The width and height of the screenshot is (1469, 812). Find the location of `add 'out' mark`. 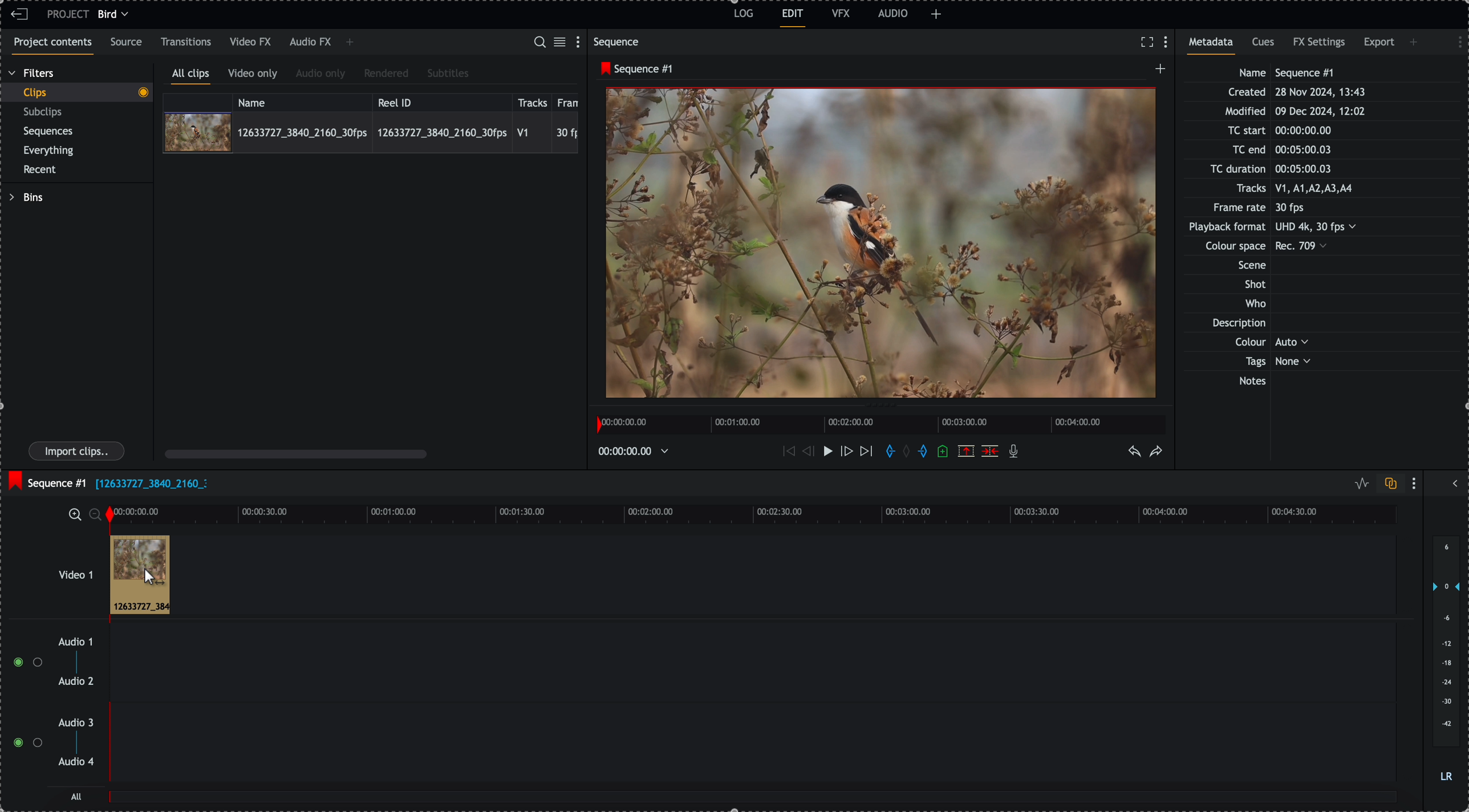

add 'out' mark is located at coordinates (922, 452).